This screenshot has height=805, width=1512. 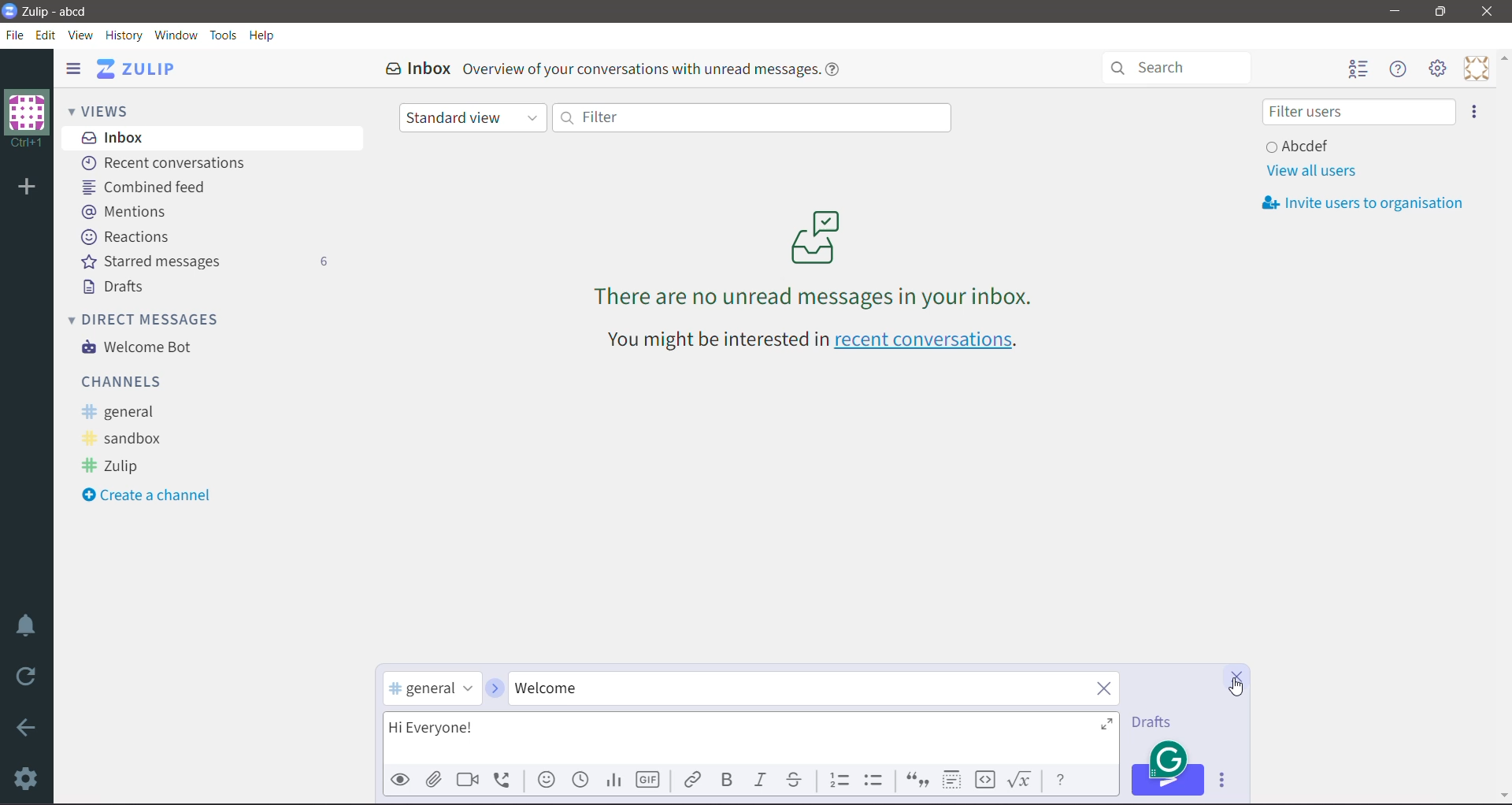 I want to click on Restore Down, so click(x=1440, y=12).